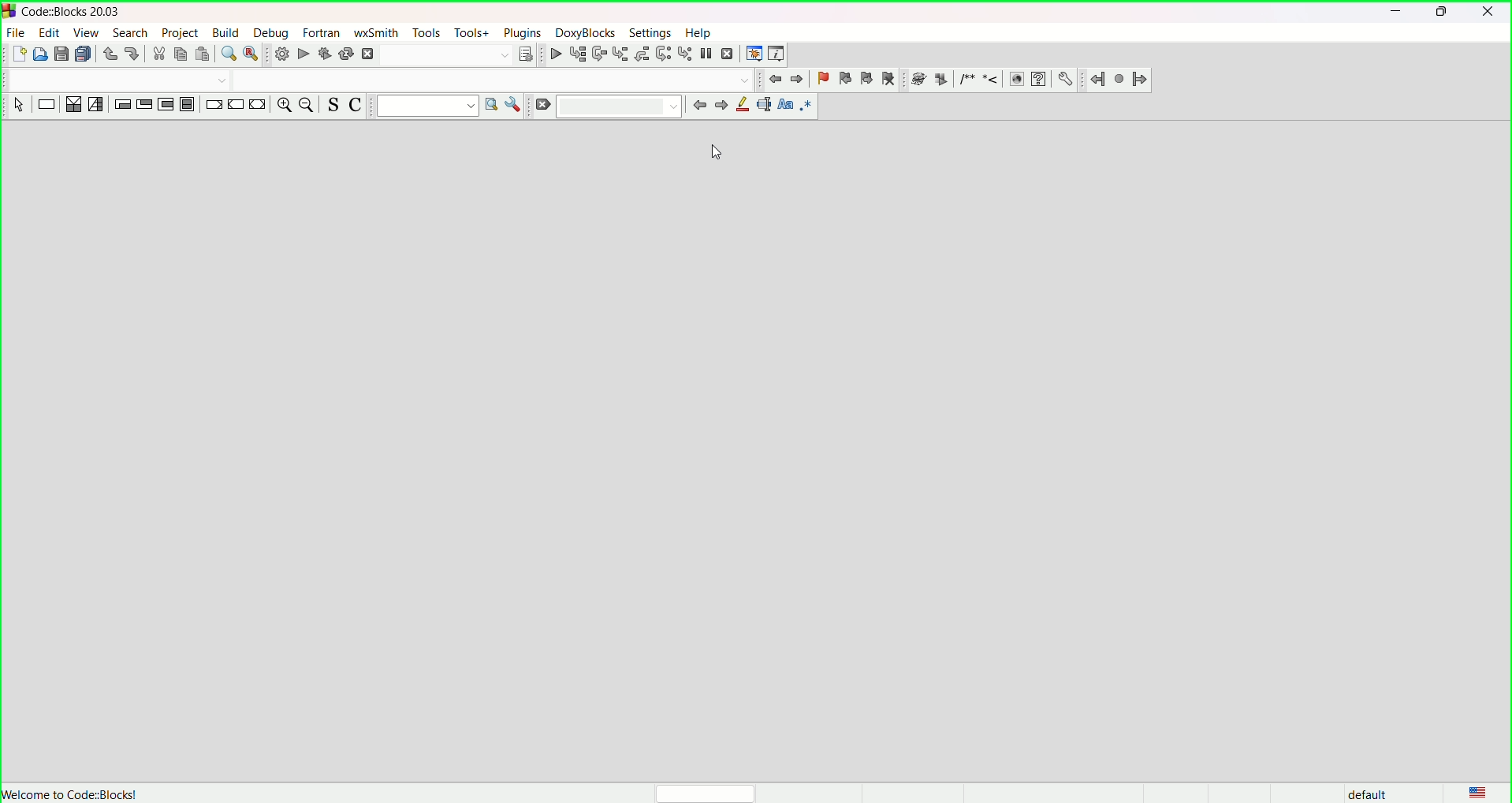  What do you see at coordinates (331, 106) in the screenshot?
I see `toggle source` at bounding box center [331, 106].